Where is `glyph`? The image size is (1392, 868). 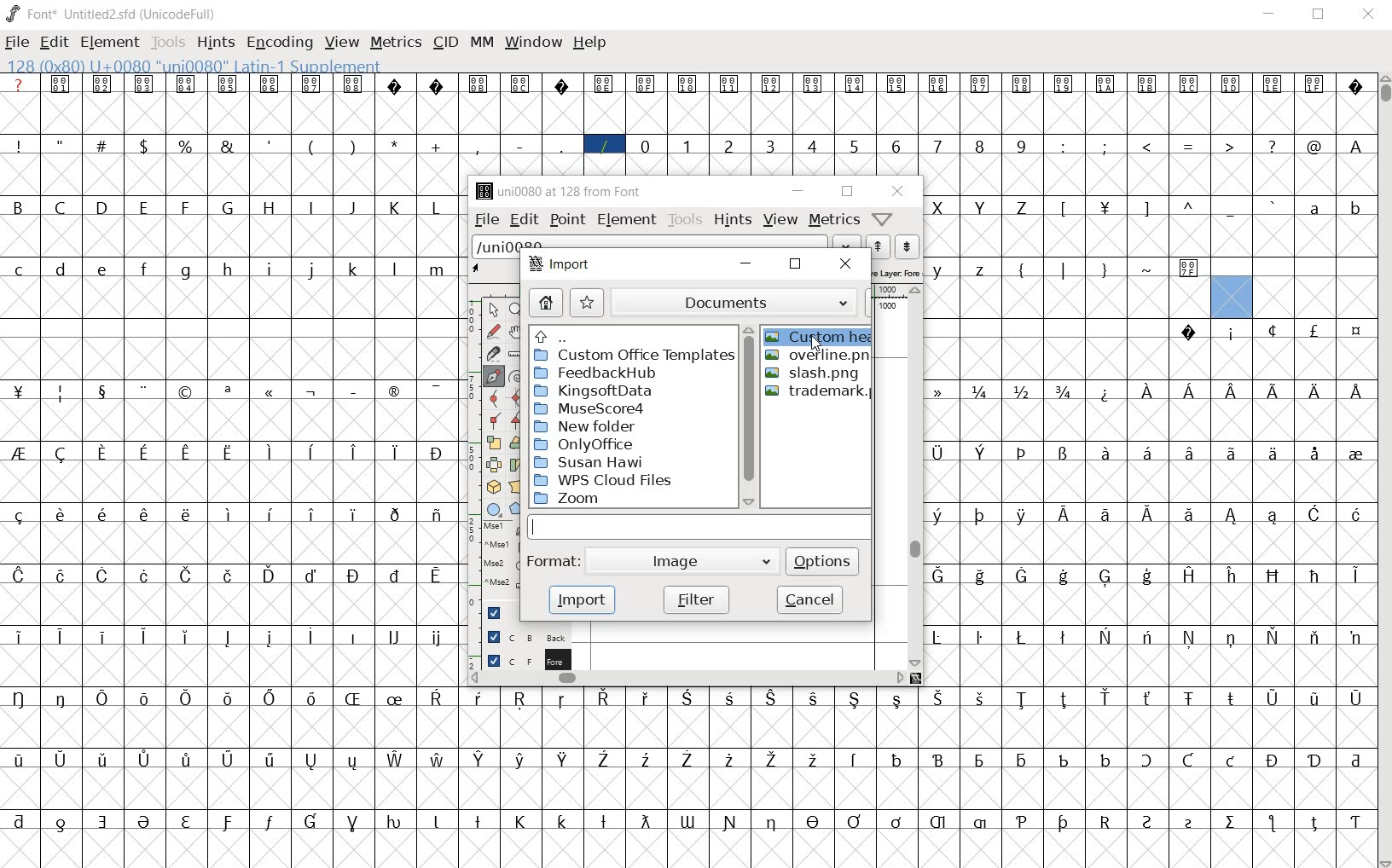
glyph is located at coordinates (145, 699).